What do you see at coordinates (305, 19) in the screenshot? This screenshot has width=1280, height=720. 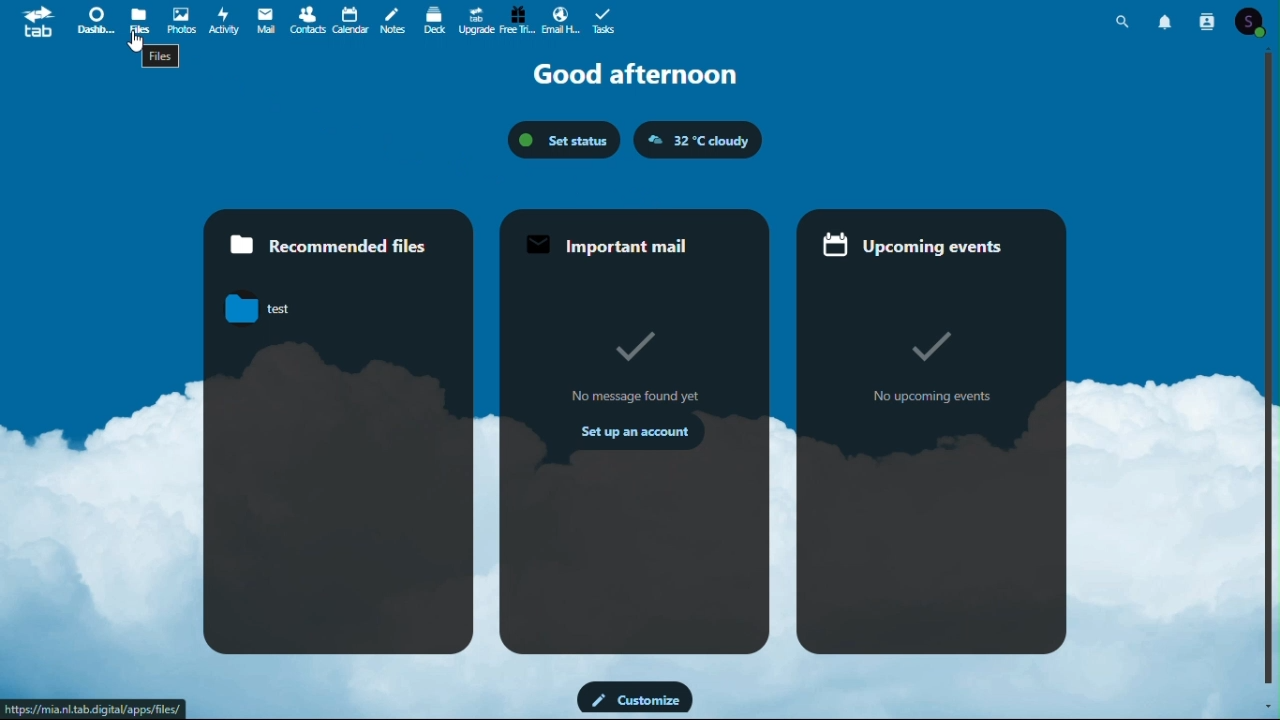 I see `contacts` at bounding box center [305, 19].